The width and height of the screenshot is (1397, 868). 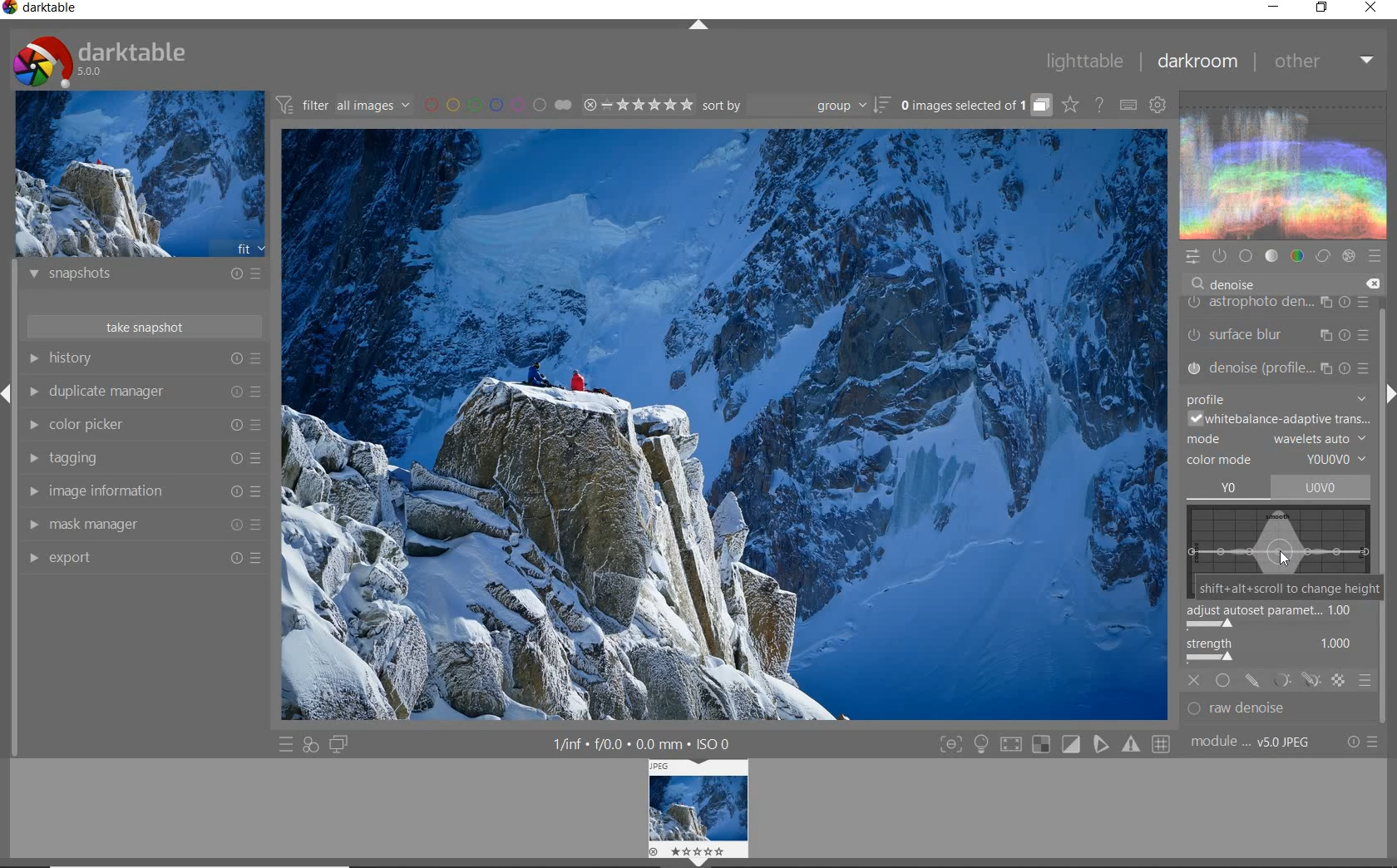 I want to click on show global preferences, so click(x=1158, y=104).